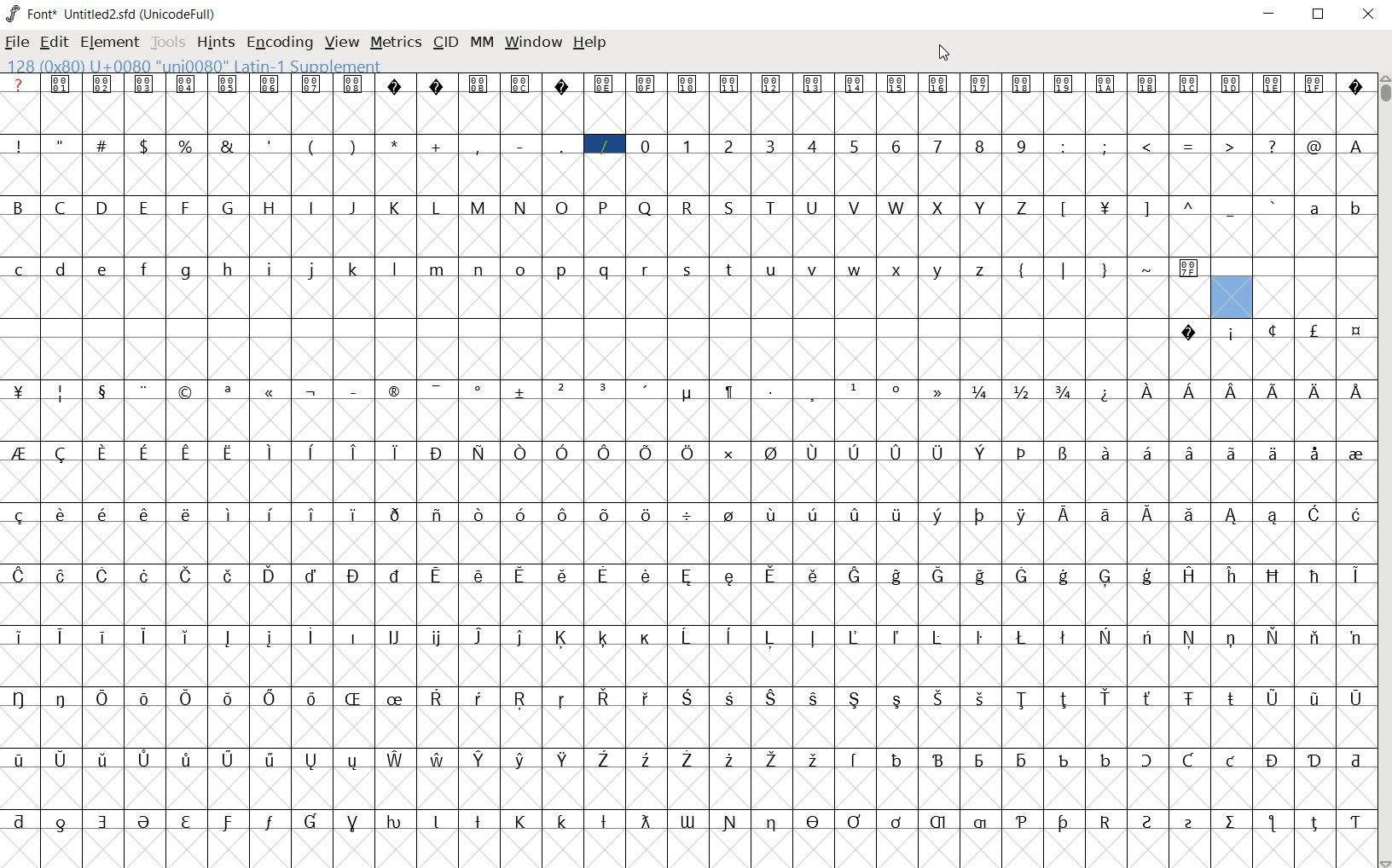 This screenshot has height=868, width=1392. I want to click on glyph, so click(771, 271).